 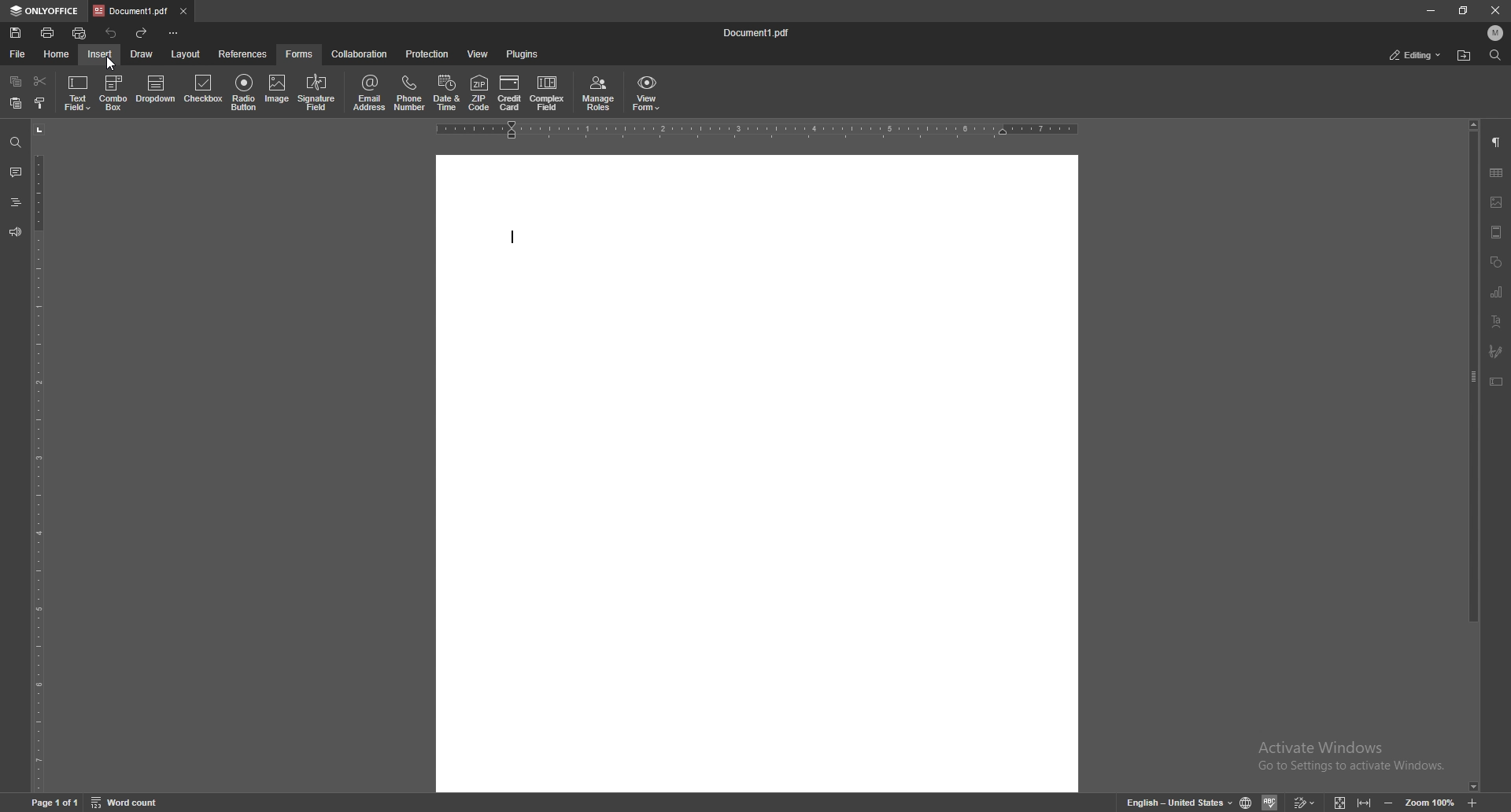 What do you see at coordinates (1473, 456) in the screenshot?
I see `scroll bar` at bounding box center [1473, 456].